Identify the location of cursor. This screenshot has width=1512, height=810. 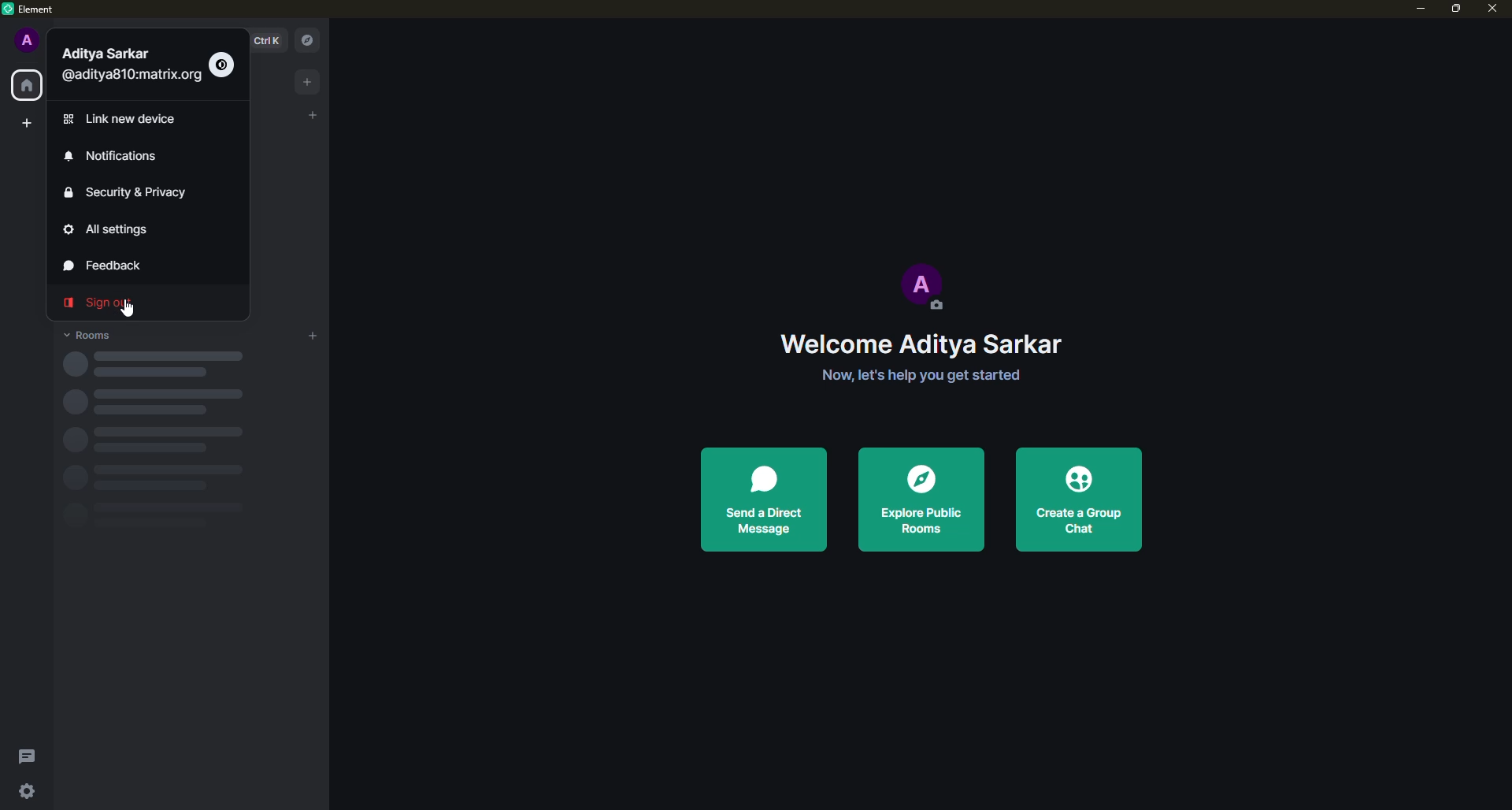
(134, 309).